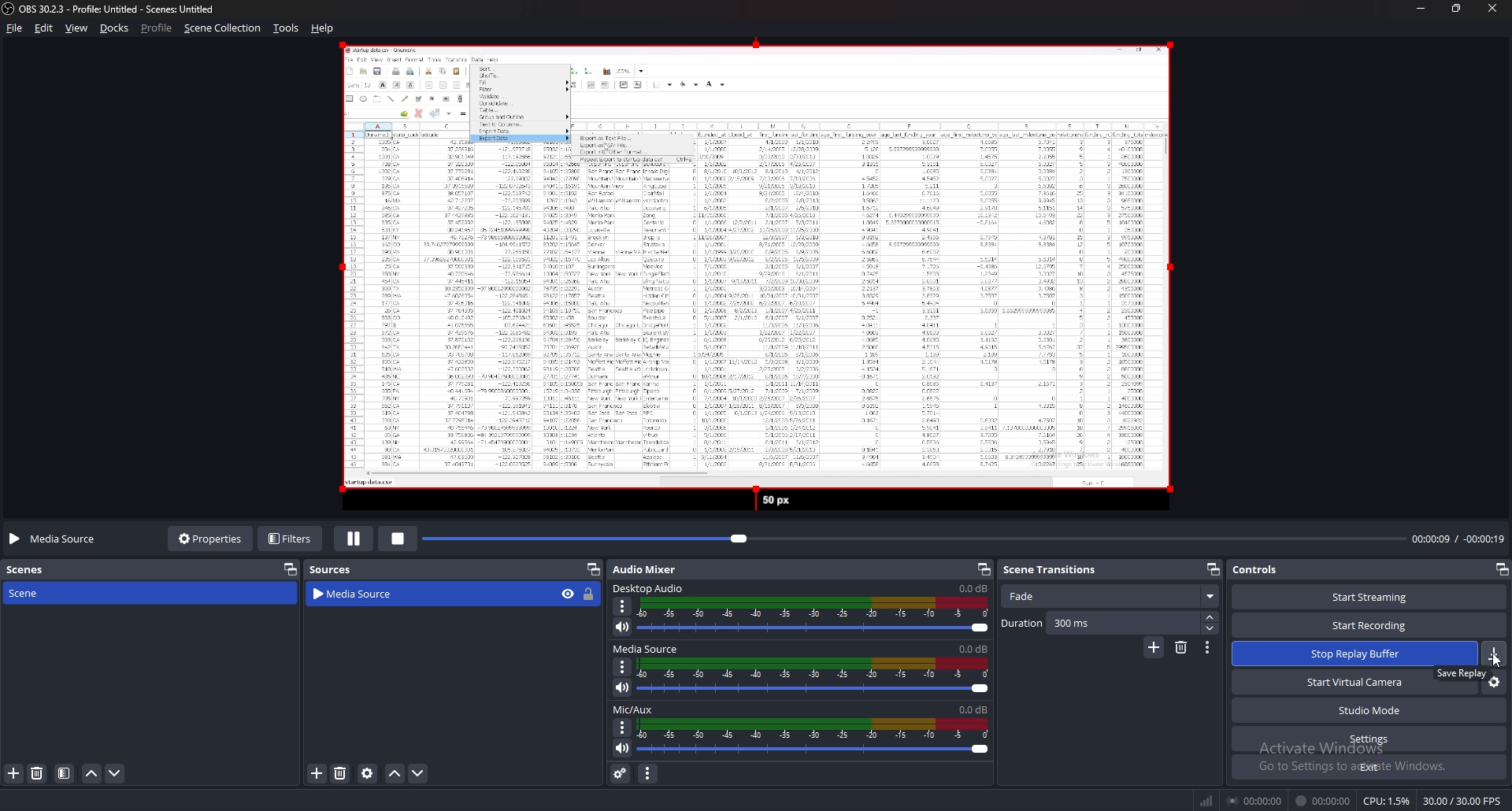 The width and height of the screenshot is (1512, 811). What do you see at coordinates (1208, 801) in the screenshot?
I see `network` at bounding box center [1208, 801].